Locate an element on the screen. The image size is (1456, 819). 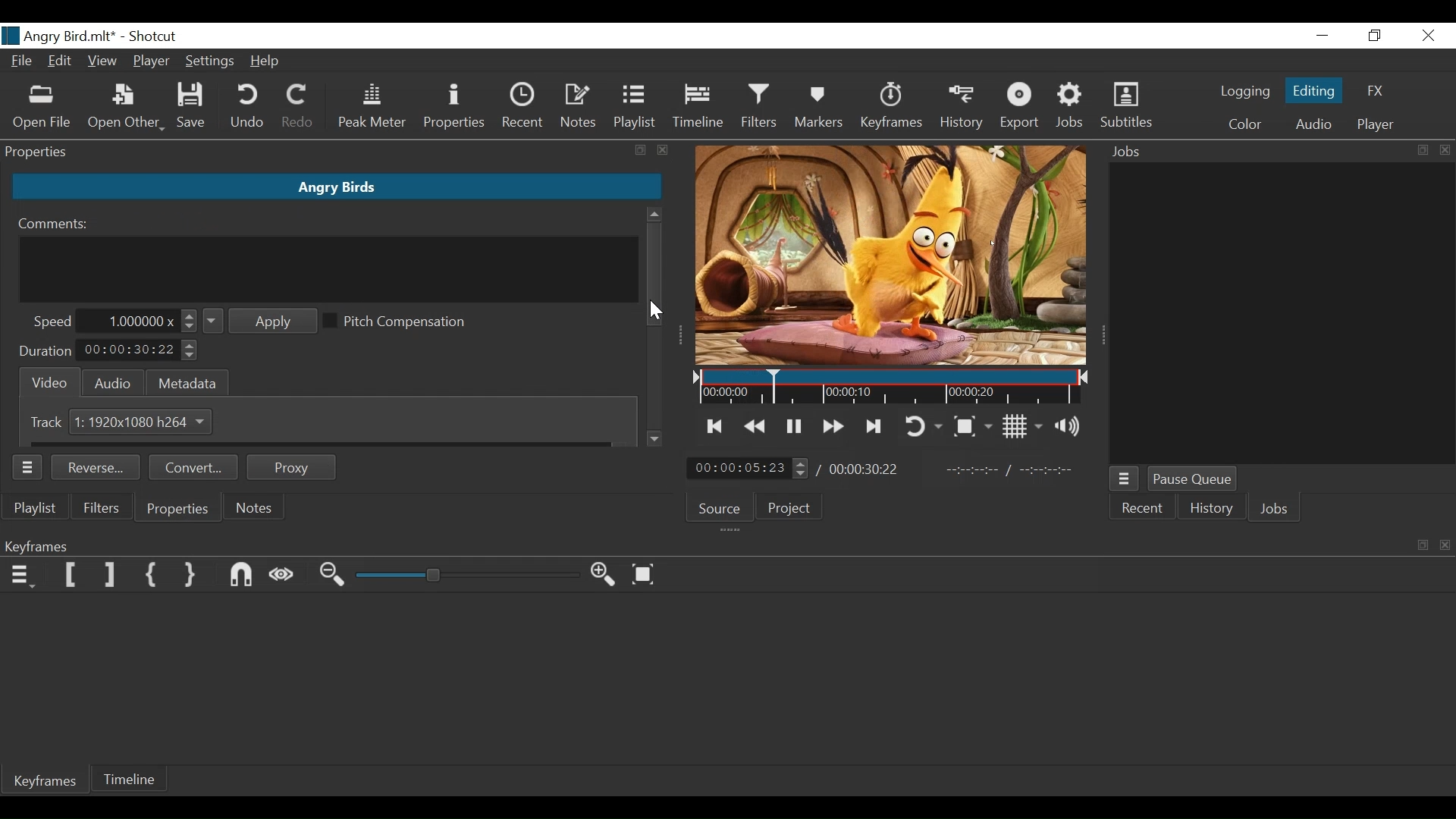
Set Filter First is located at coordinates (71, 574).